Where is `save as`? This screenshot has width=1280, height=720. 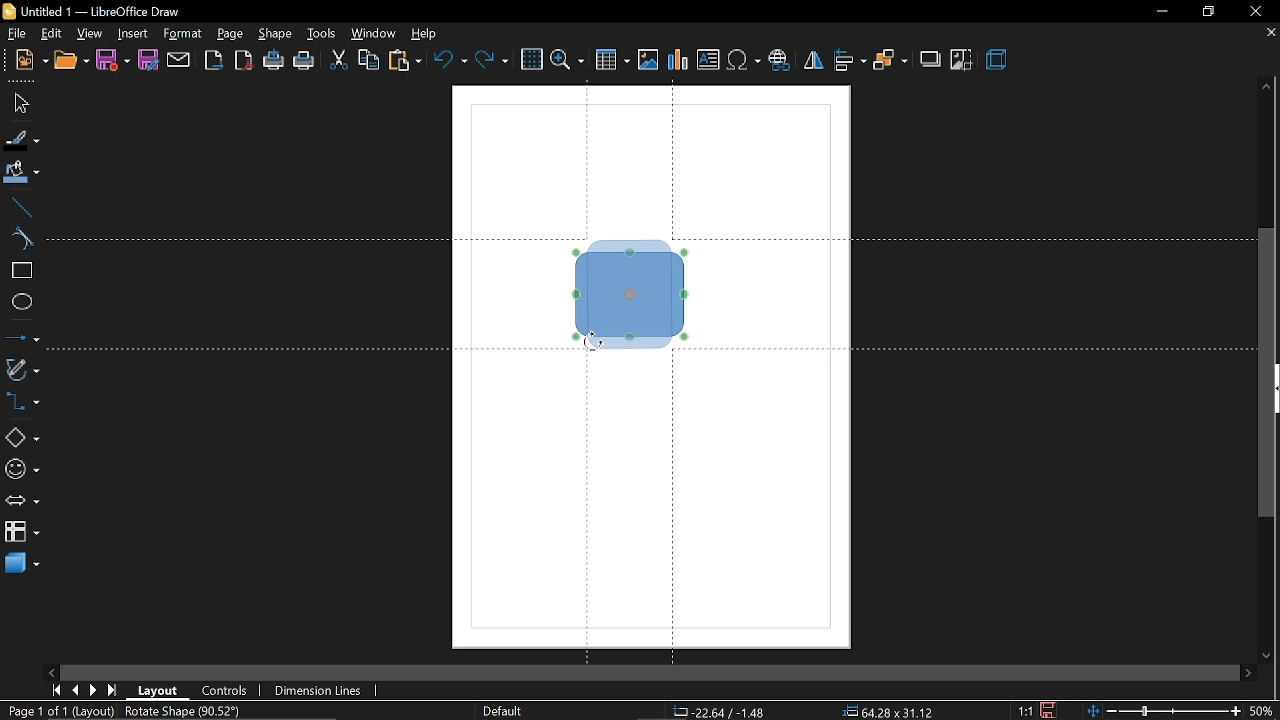 save as is located at coordinates (148, 61).